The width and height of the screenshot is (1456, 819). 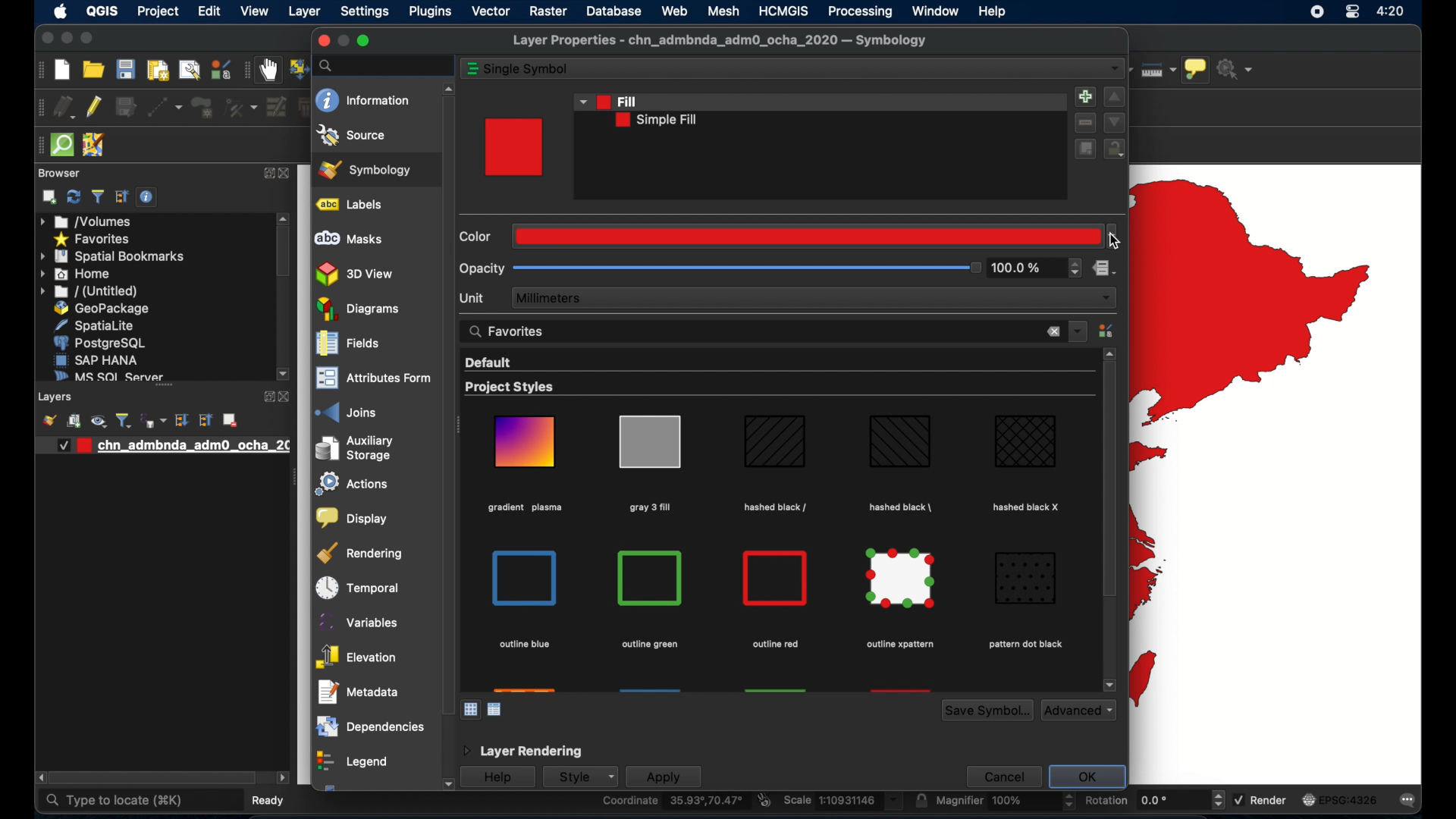 What do you see at coordinates (902, 505) in the screenshot?
I see `hashed black \` at bounding box center [902, 505].